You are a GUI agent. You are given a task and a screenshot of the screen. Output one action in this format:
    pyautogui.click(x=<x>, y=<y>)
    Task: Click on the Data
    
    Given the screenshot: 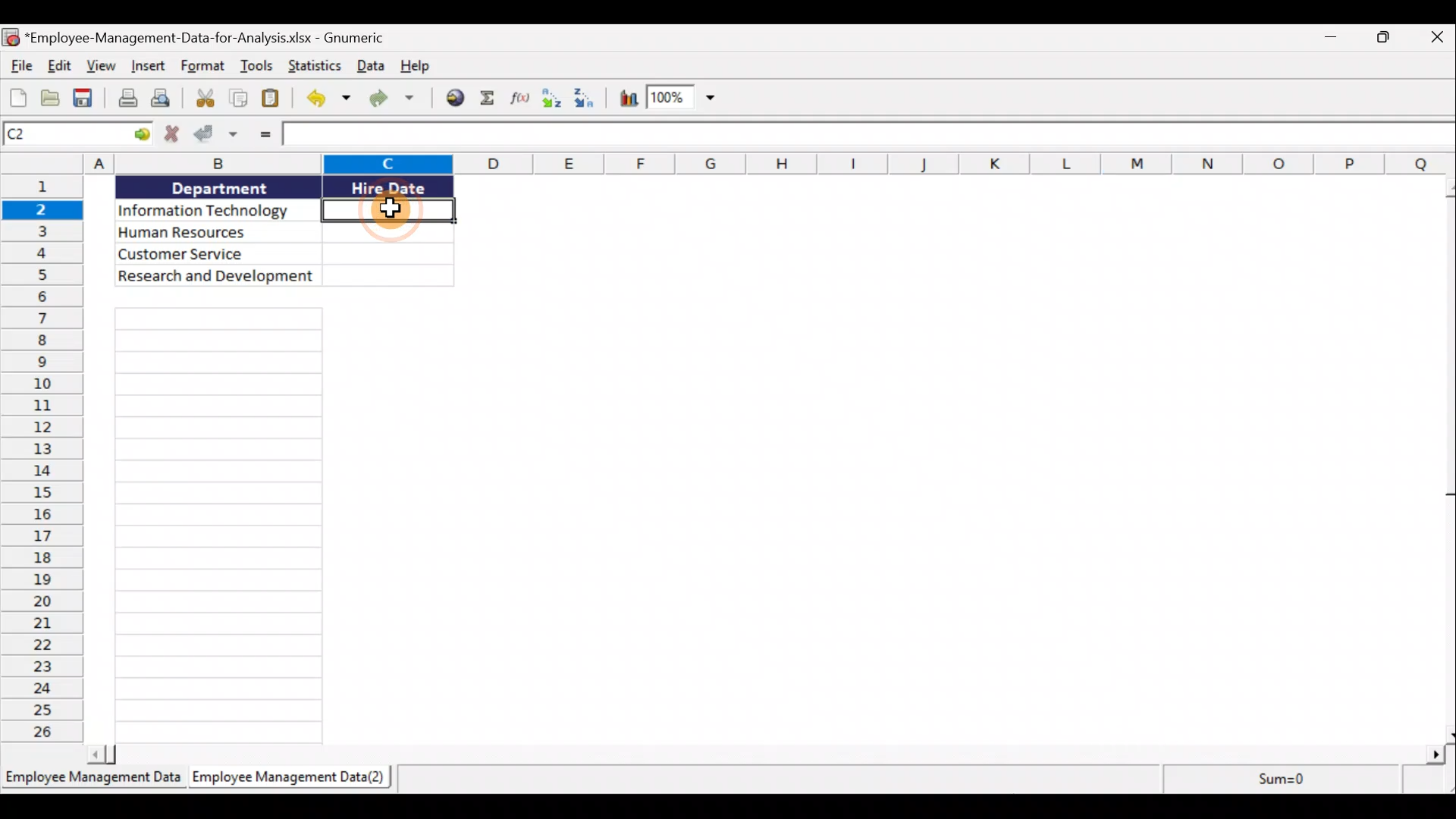 What is the action you would take?
    pyautogui.click(x=279, y=230)
    